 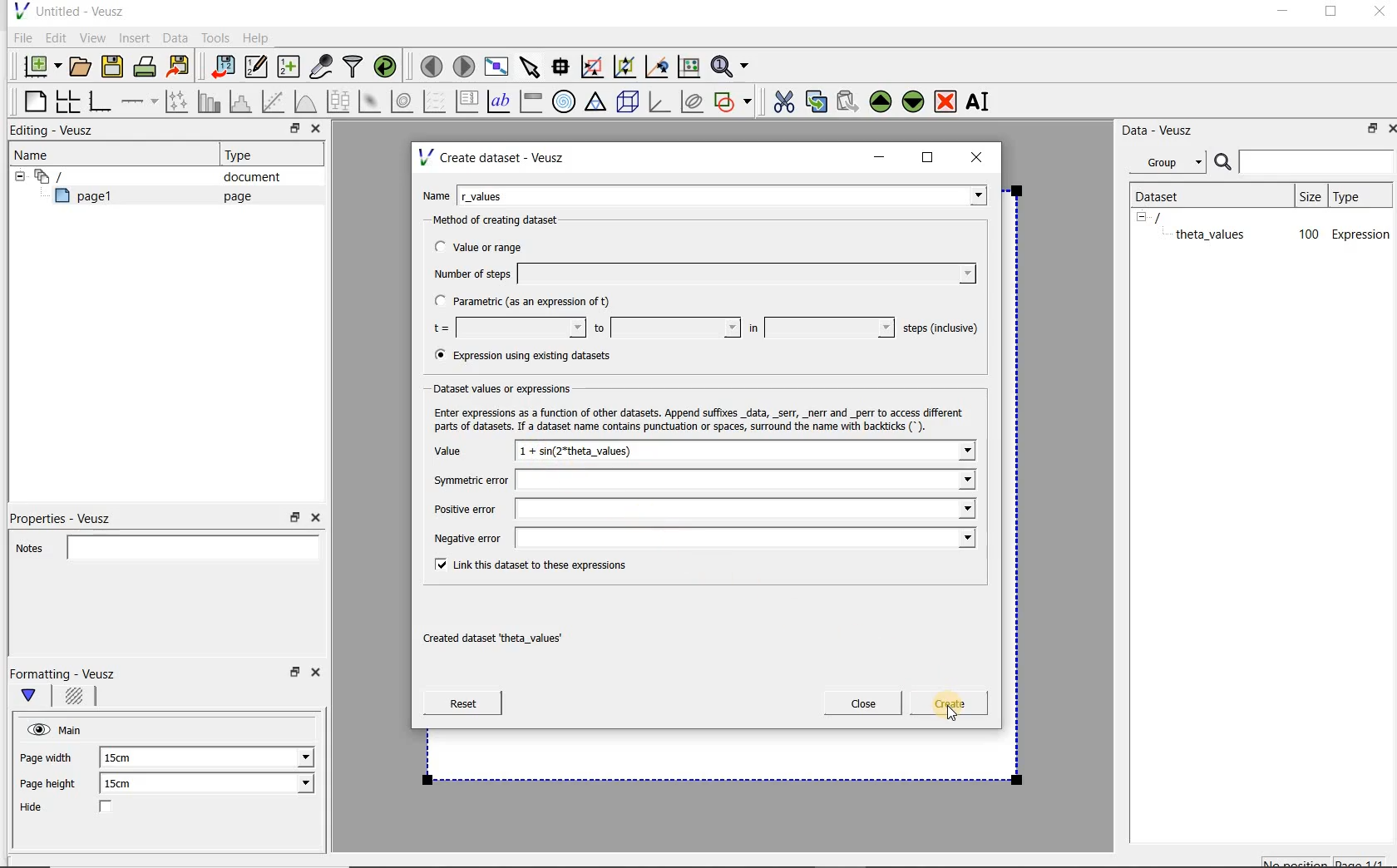 What do you see at coordinates (462, 703) in the screenshot?
I see `Reset` at bounding box center [462, 703].